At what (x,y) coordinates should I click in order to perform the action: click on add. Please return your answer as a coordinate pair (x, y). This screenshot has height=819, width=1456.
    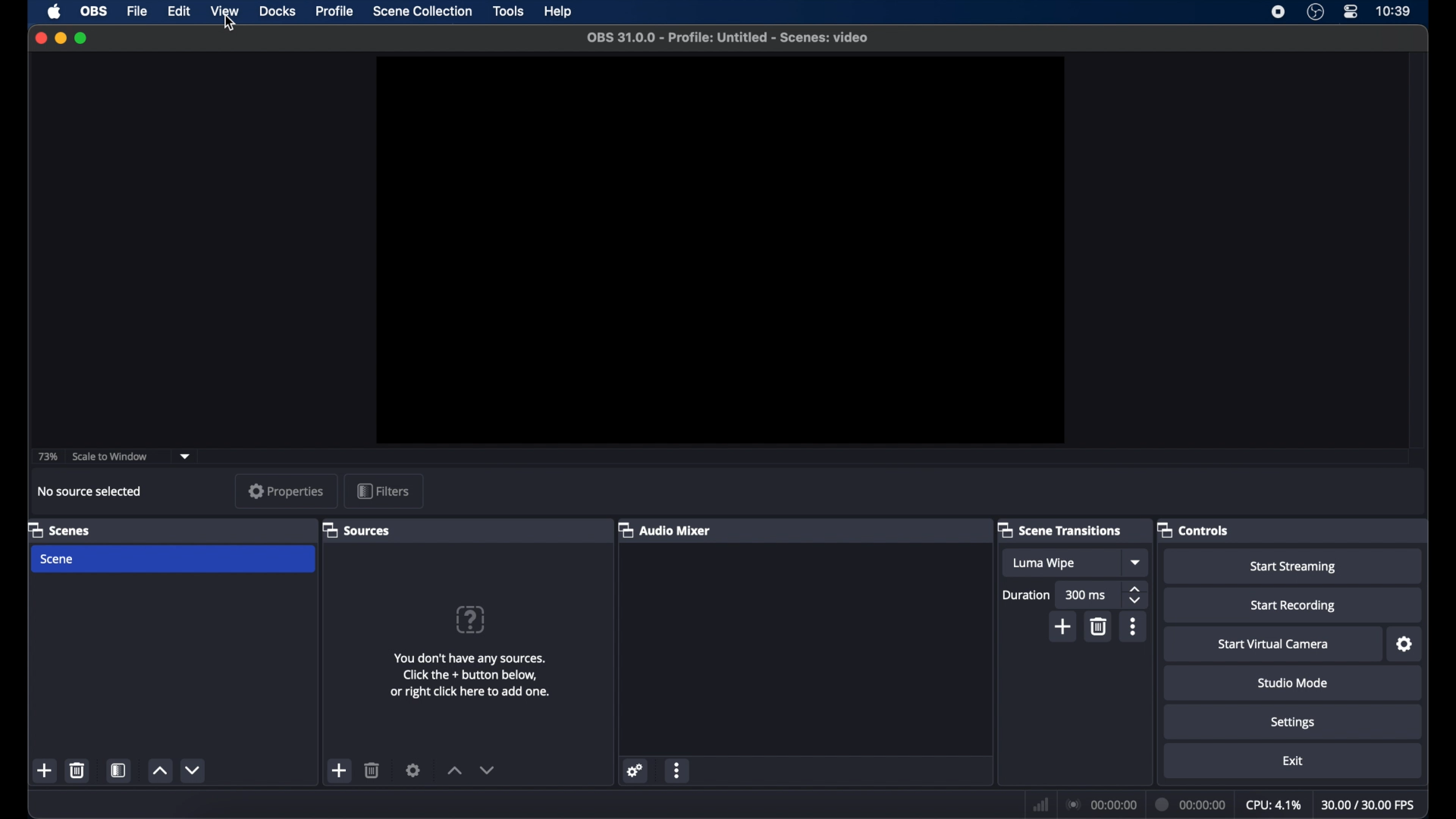
    Looking at the image, I should click on (1062, 626).